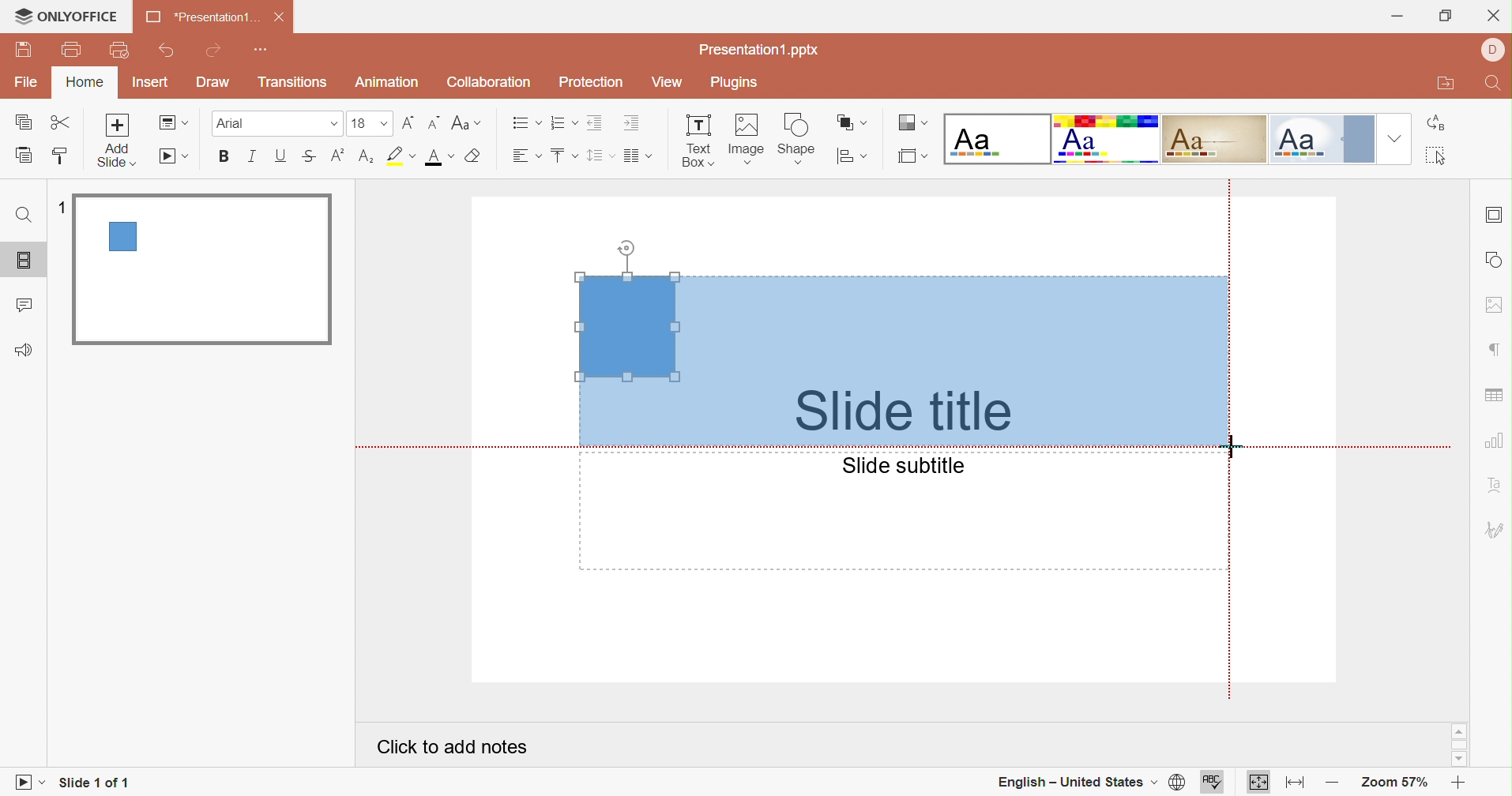 The height and width of the screenshot is (796, 1512). I want to click on Redo, so click(215, 52).